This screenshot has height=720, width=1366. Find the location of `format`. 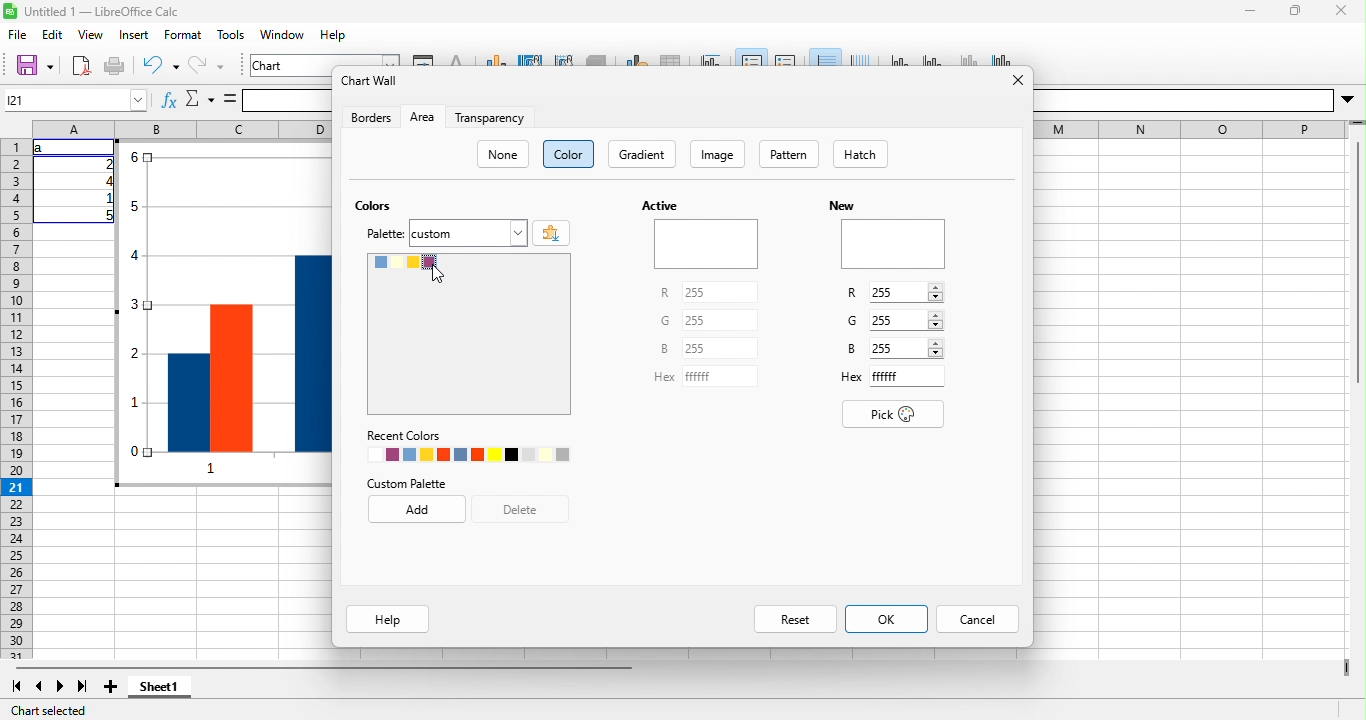

format is located at coordinates (183, 34).